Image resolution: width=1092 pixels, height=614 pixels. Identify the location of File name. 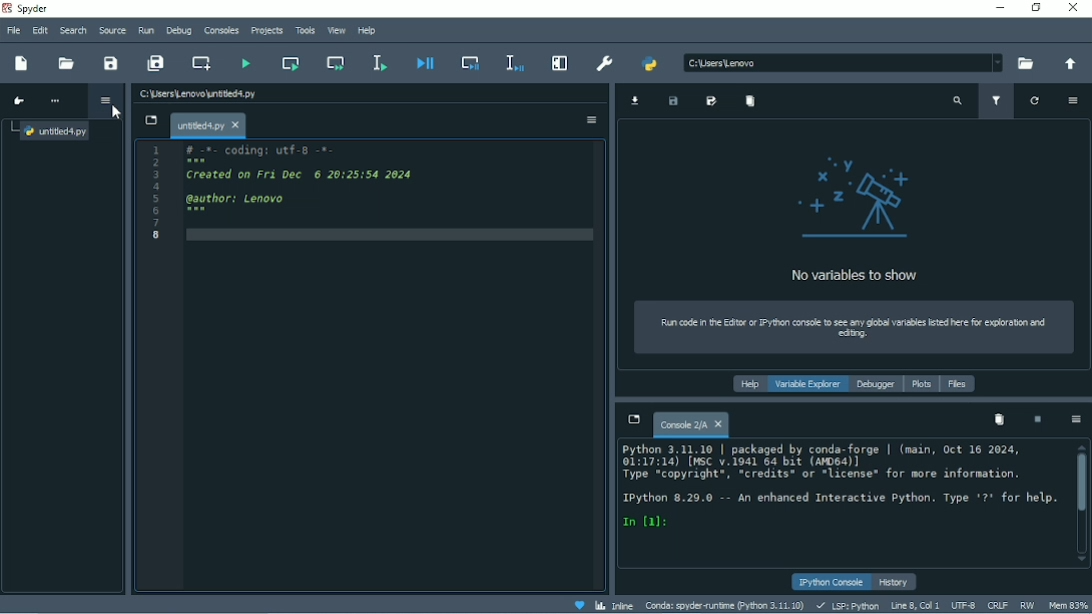
(54, 132).